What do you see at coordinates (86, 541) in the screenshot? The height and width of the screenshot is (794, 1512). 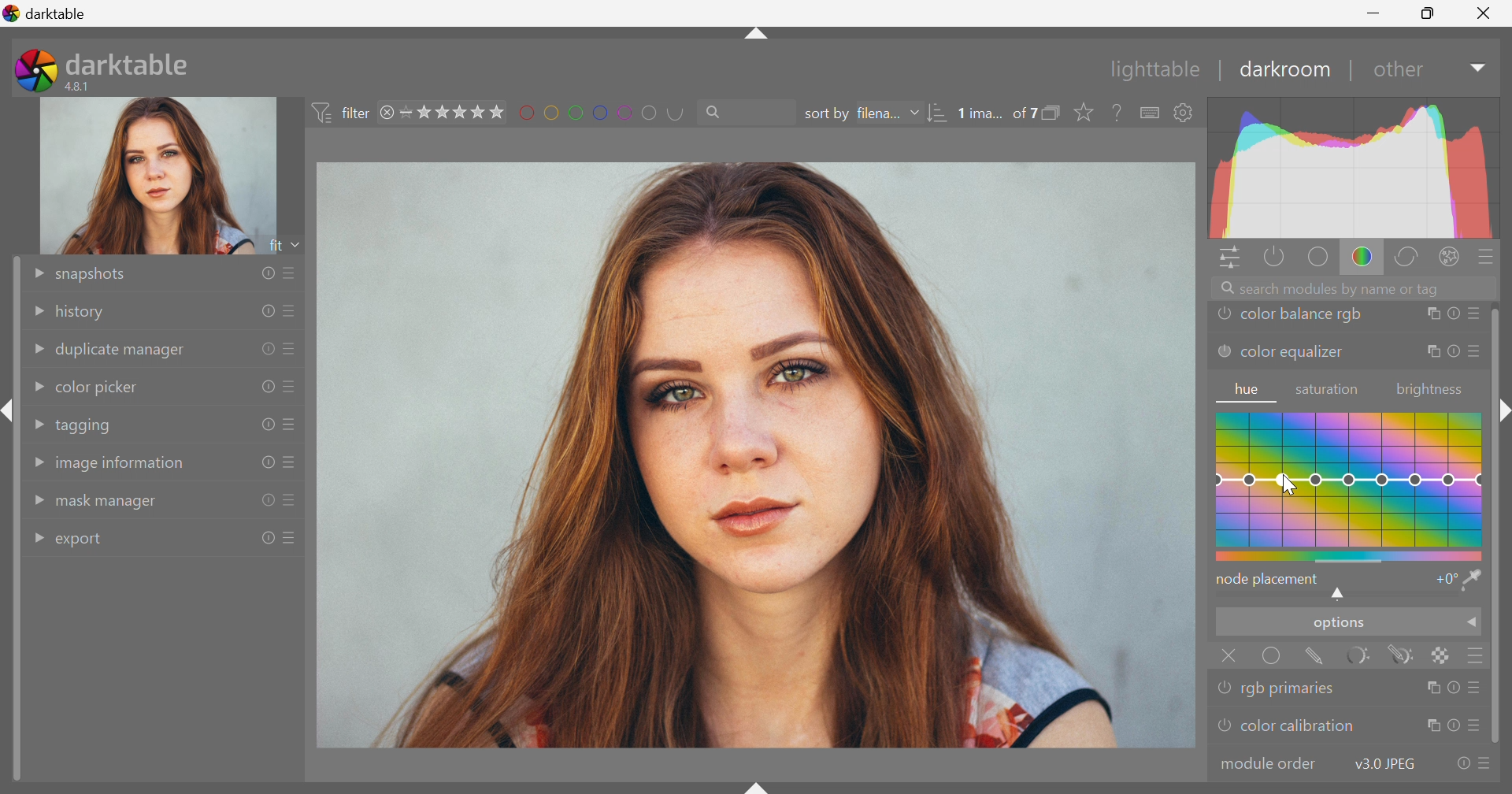 I see `export` at bounding box center [86, 541].